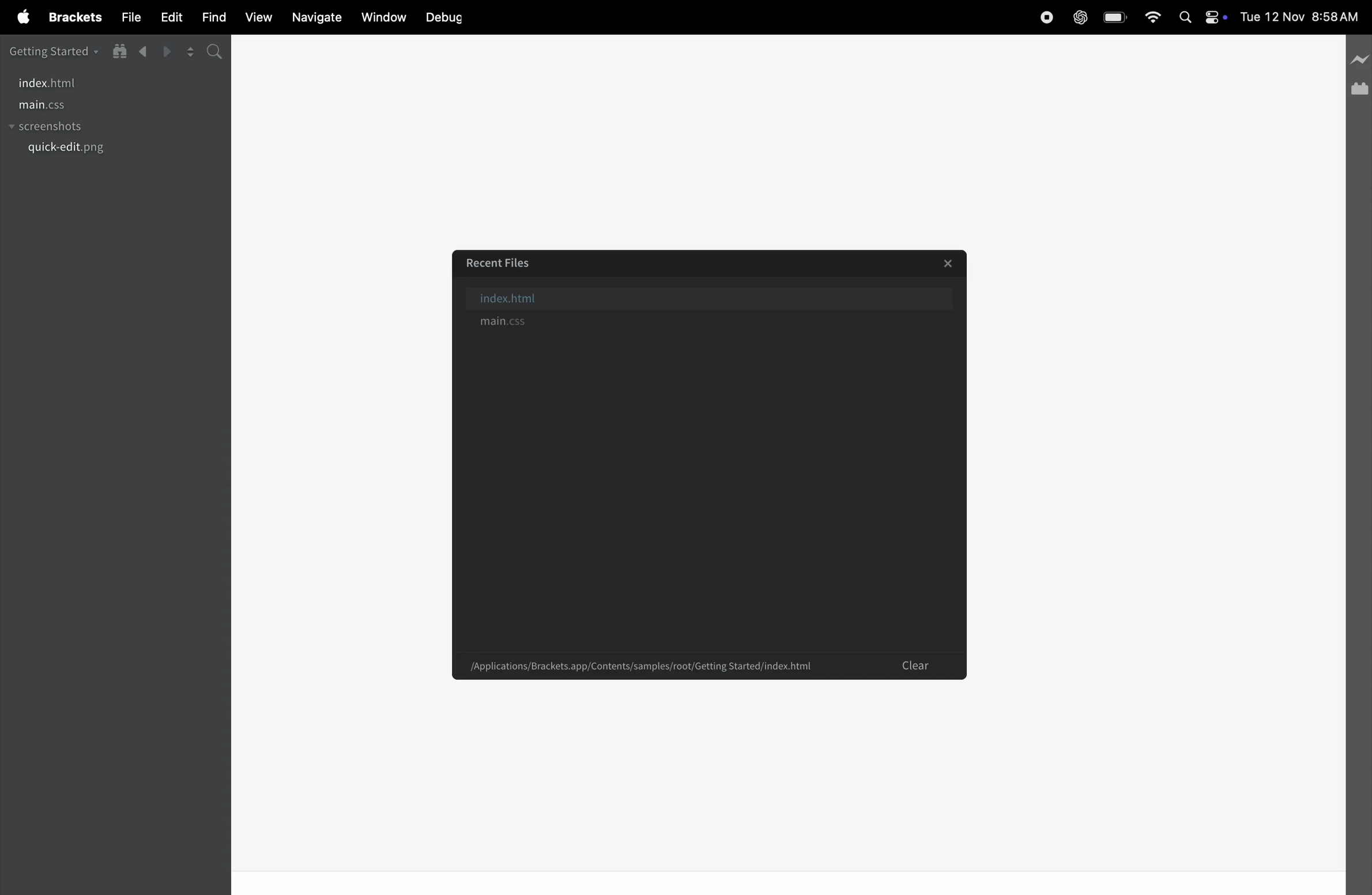  What do you see at coordinates (255, 16) in the screenshot?
I see `view` at bounding box center [255, 16].